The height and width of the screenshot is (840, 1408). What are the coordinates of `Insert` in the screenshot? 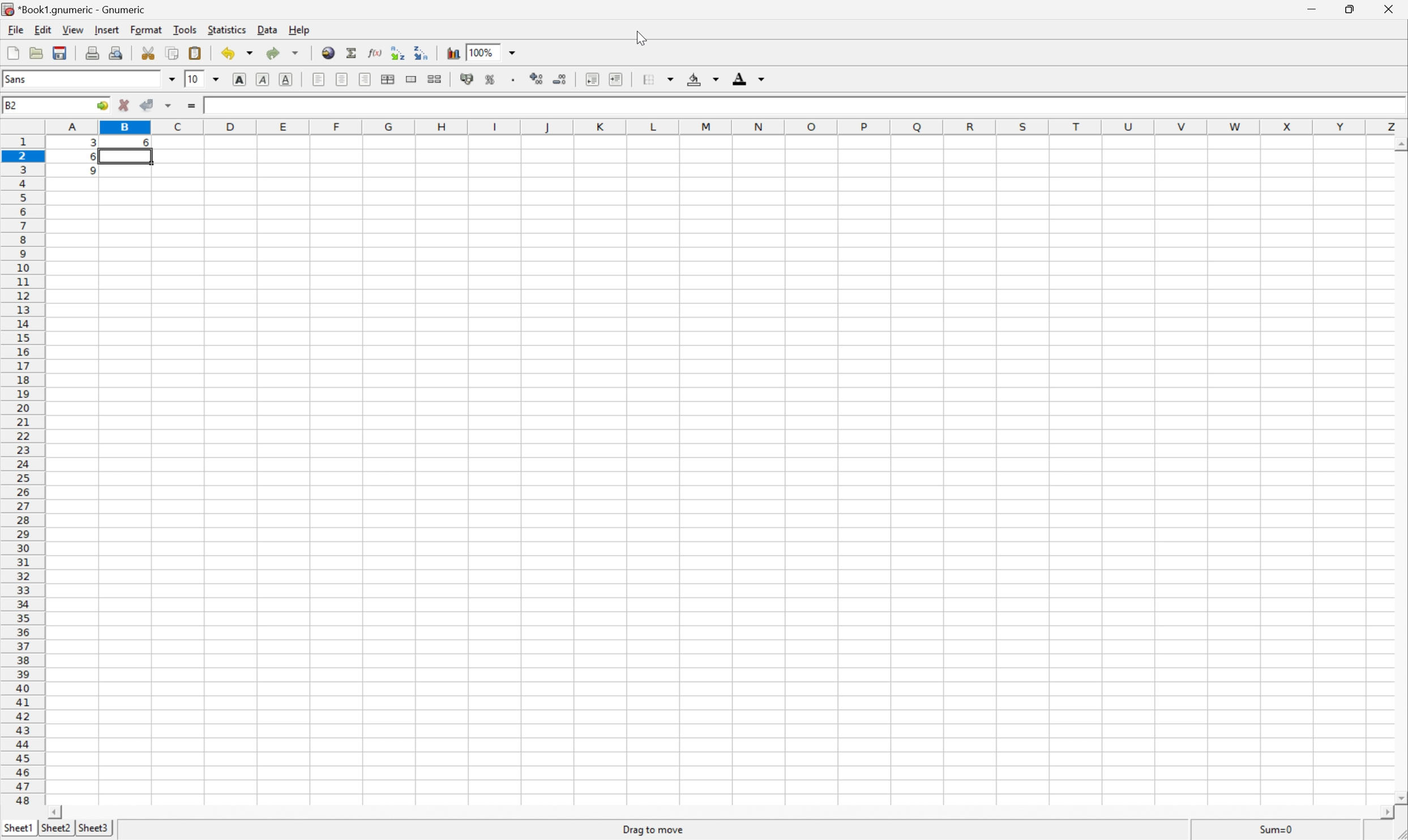 It's located at (106, 29).